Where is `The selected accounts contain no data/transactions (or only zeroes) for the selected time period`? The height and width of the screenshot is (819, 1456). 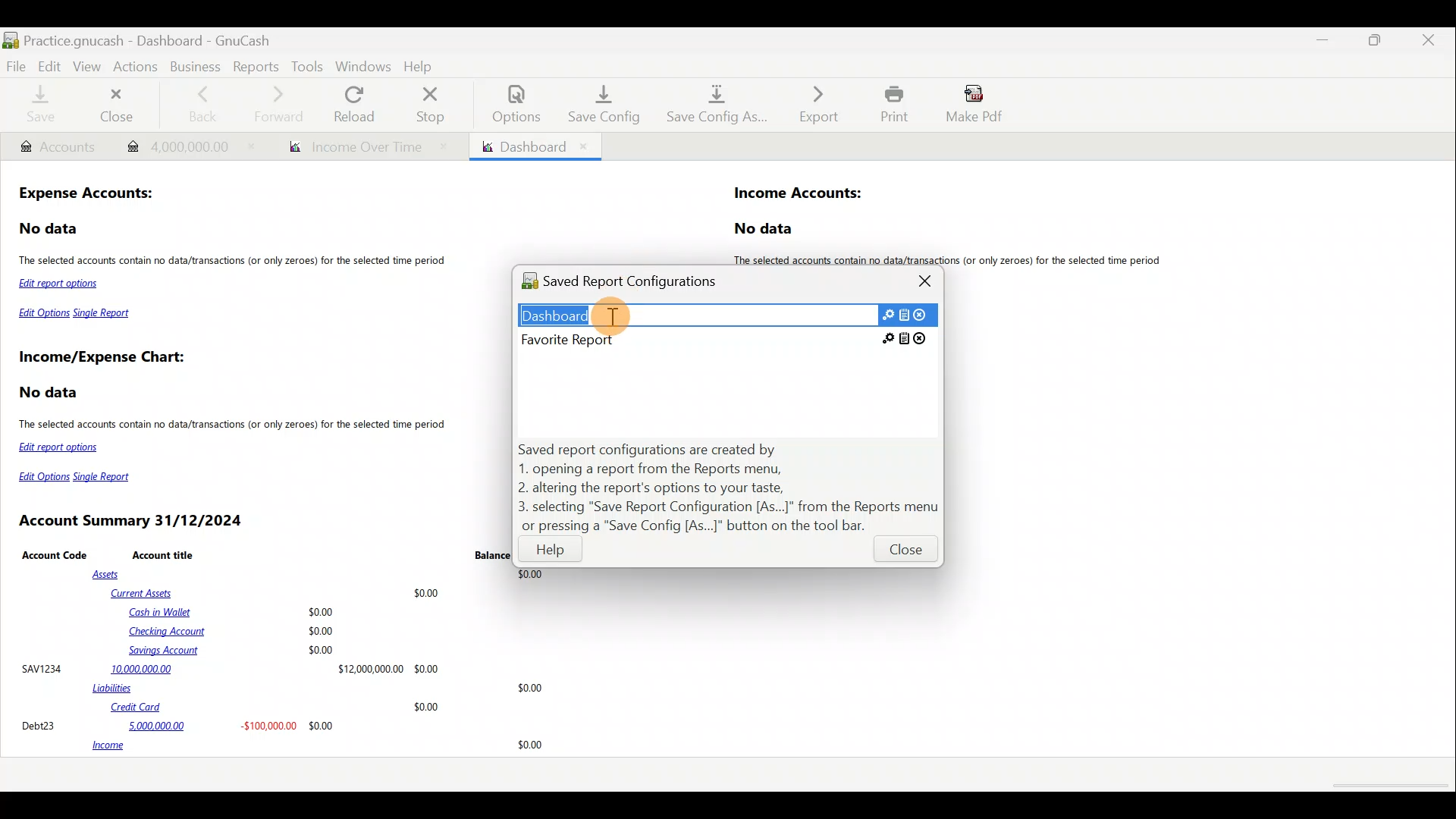
The selected accounts contain no data/transactions (or only zeroes) for the selected time period is located at coordinates (234, 426).